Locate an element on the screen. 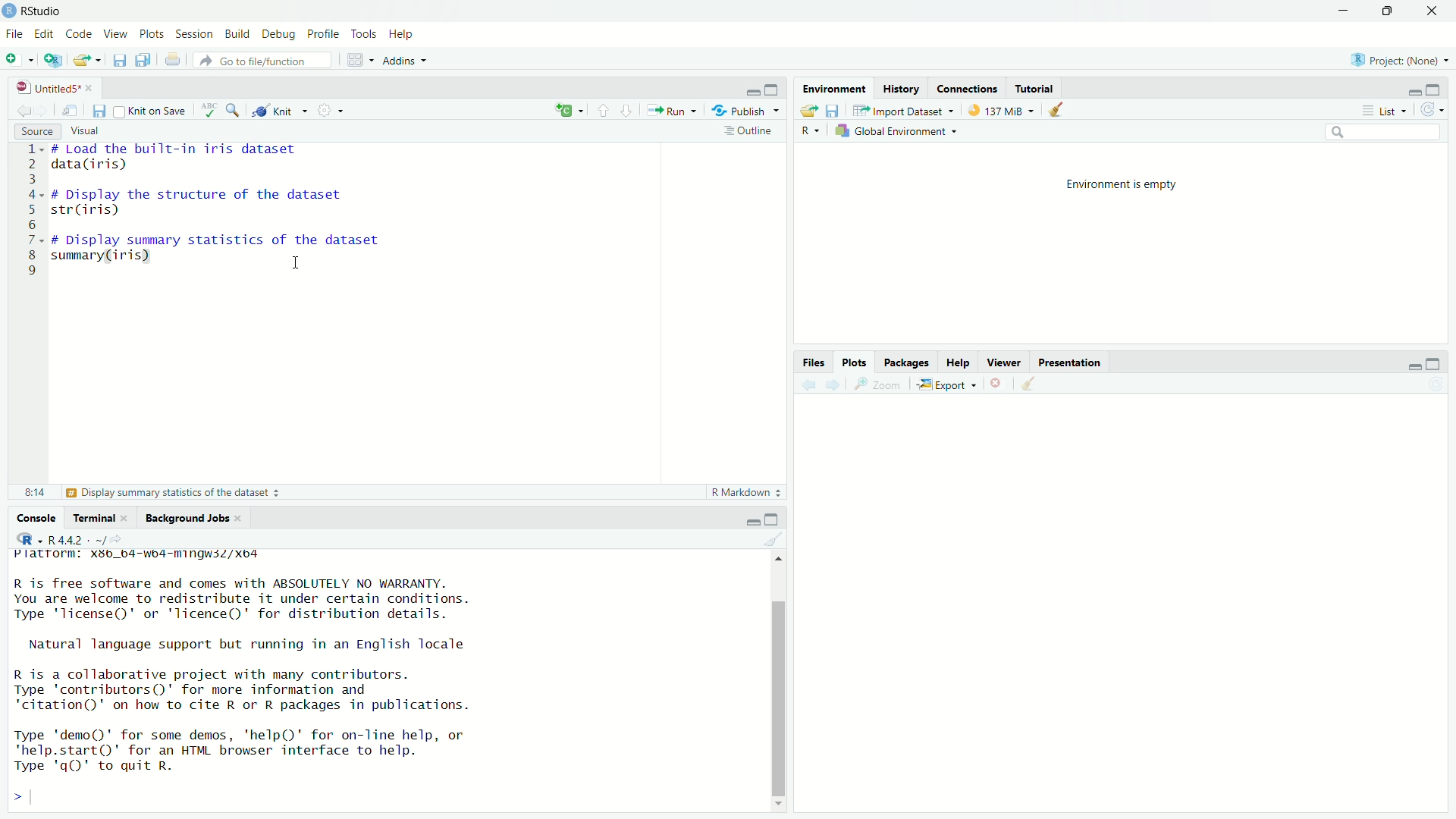 This screenshot has height=819, width=1456. Presentation is located at coordinates (1069, 362).